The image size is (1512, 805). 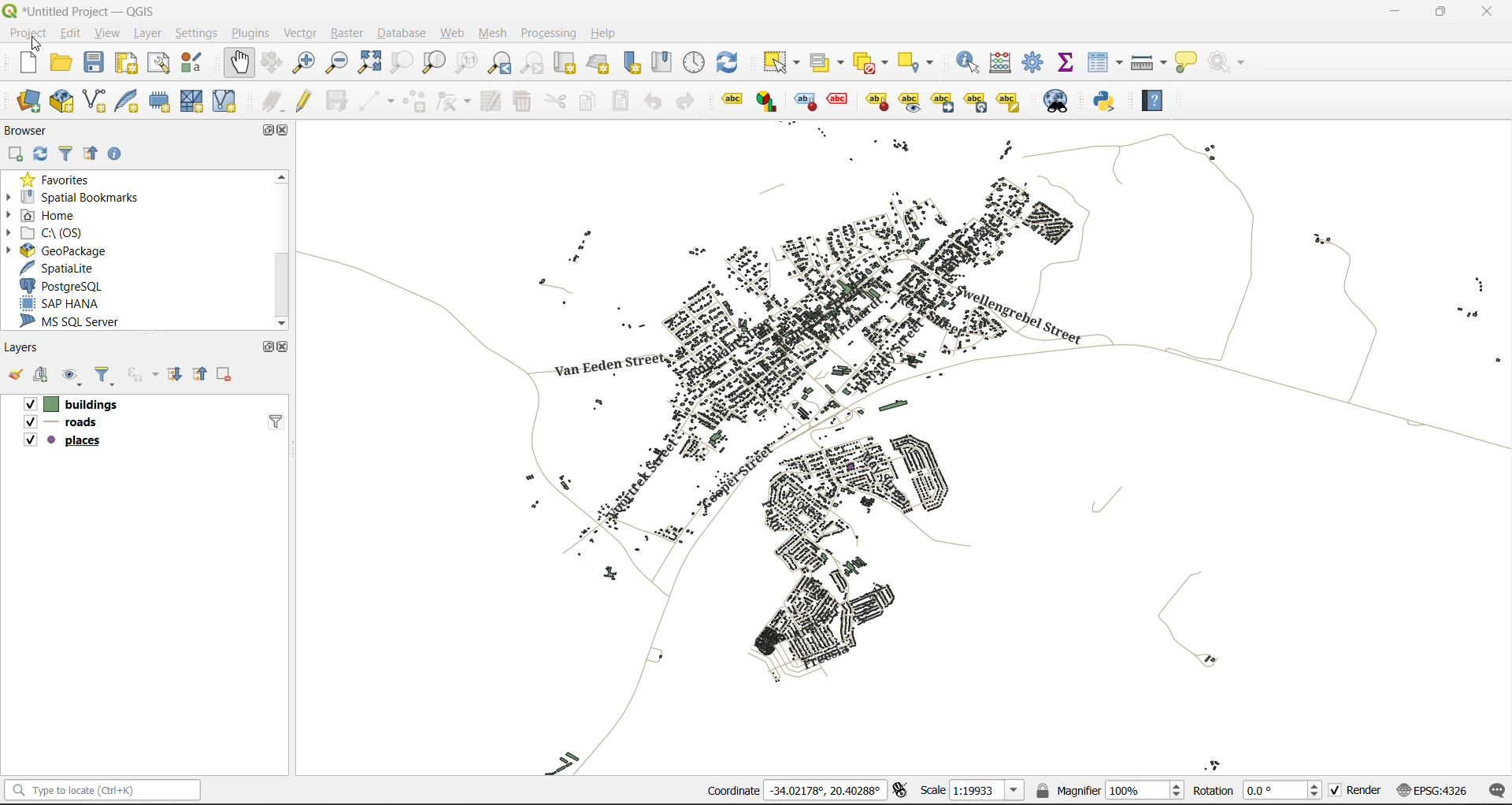 What do you see at coordinates (502, 63) in the screenshot?
I see `zoom last` at bounding box center [502, 63].